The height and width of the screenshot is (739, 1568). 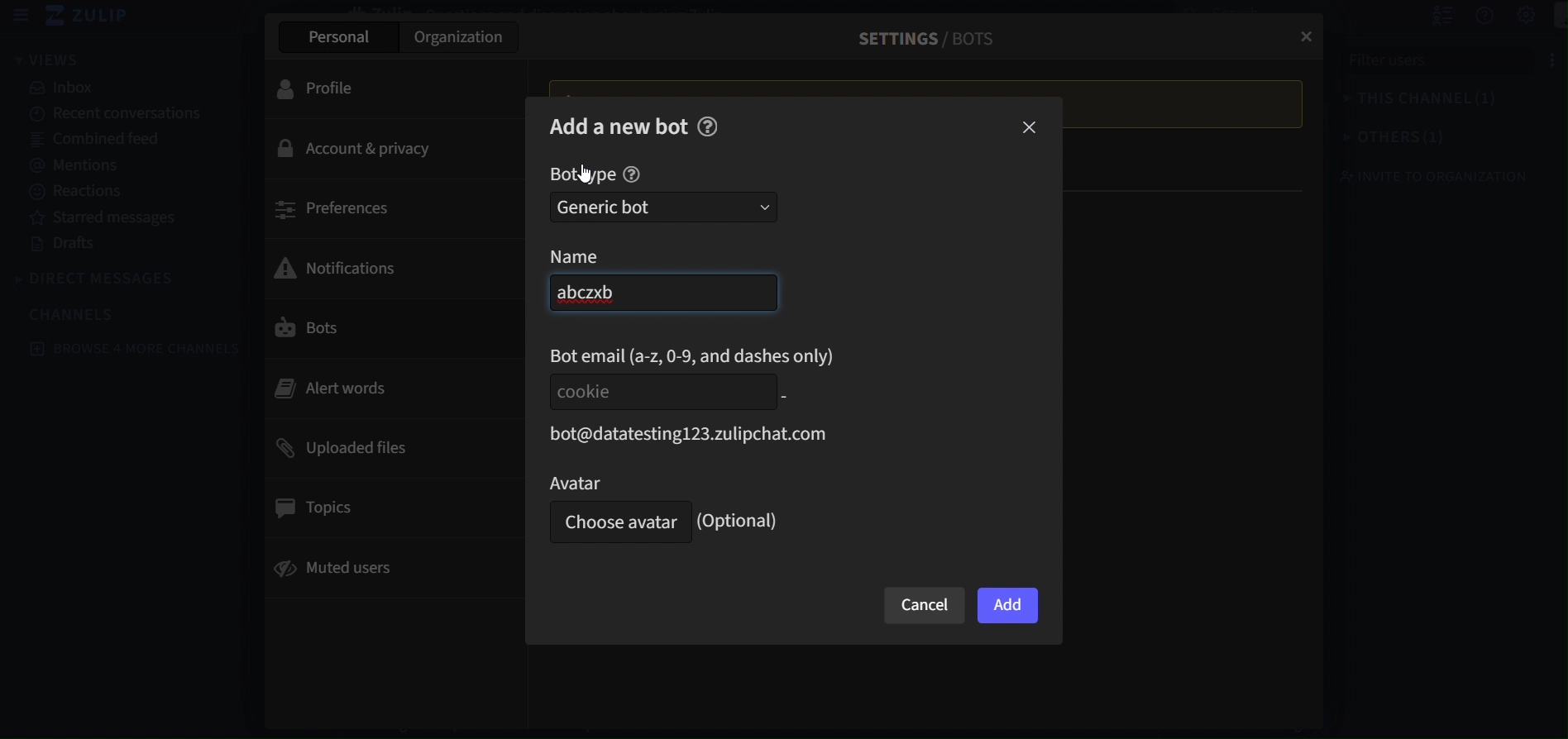 What do you see at coordinates (695, 355) in the screenshot?
I see `bot email(a-z,0-9, and dashes only)` at bounding box center [695, 355].